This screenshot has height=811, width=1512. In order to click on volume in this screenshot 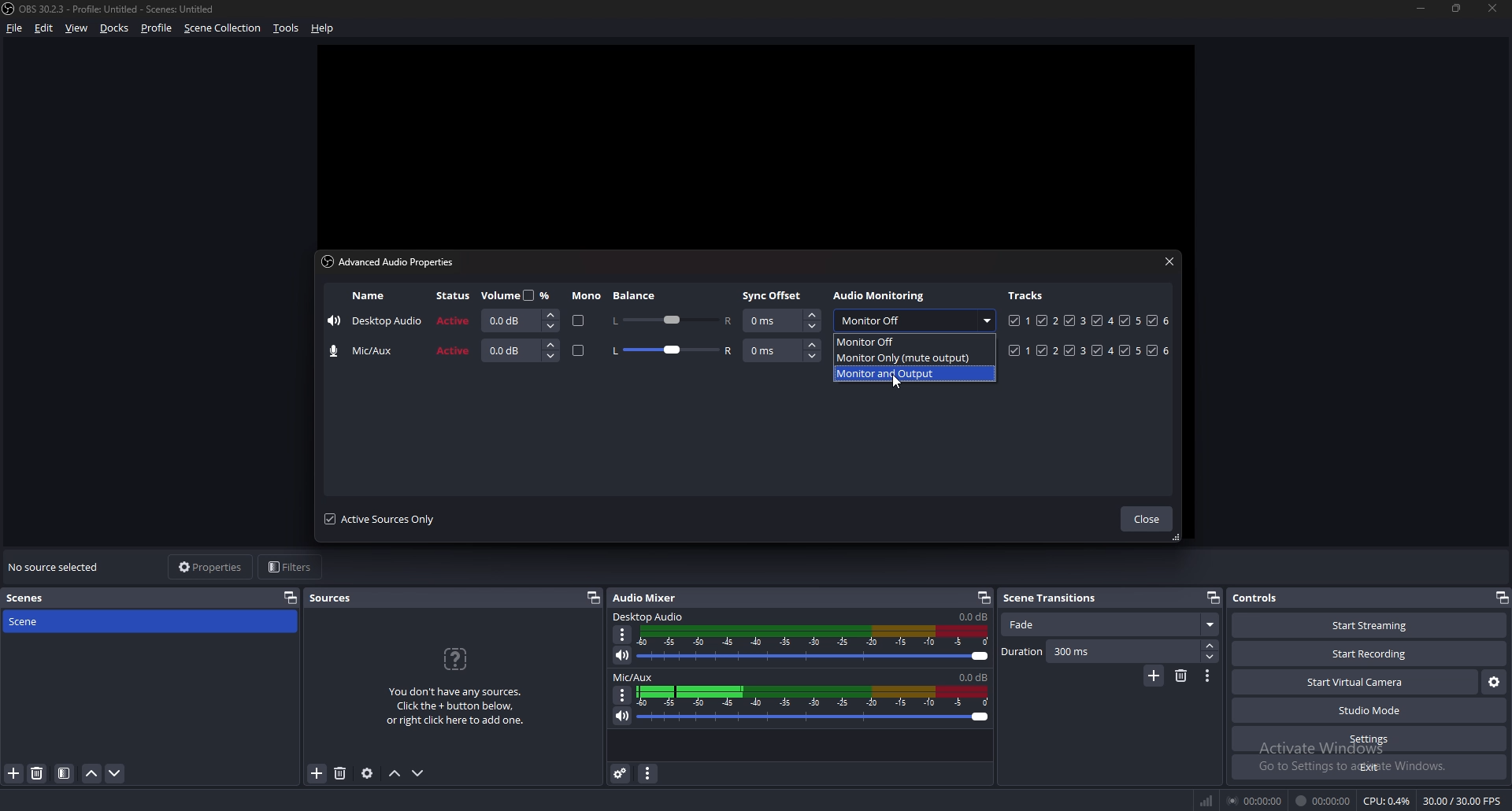, I will do `click(519, 294)`.